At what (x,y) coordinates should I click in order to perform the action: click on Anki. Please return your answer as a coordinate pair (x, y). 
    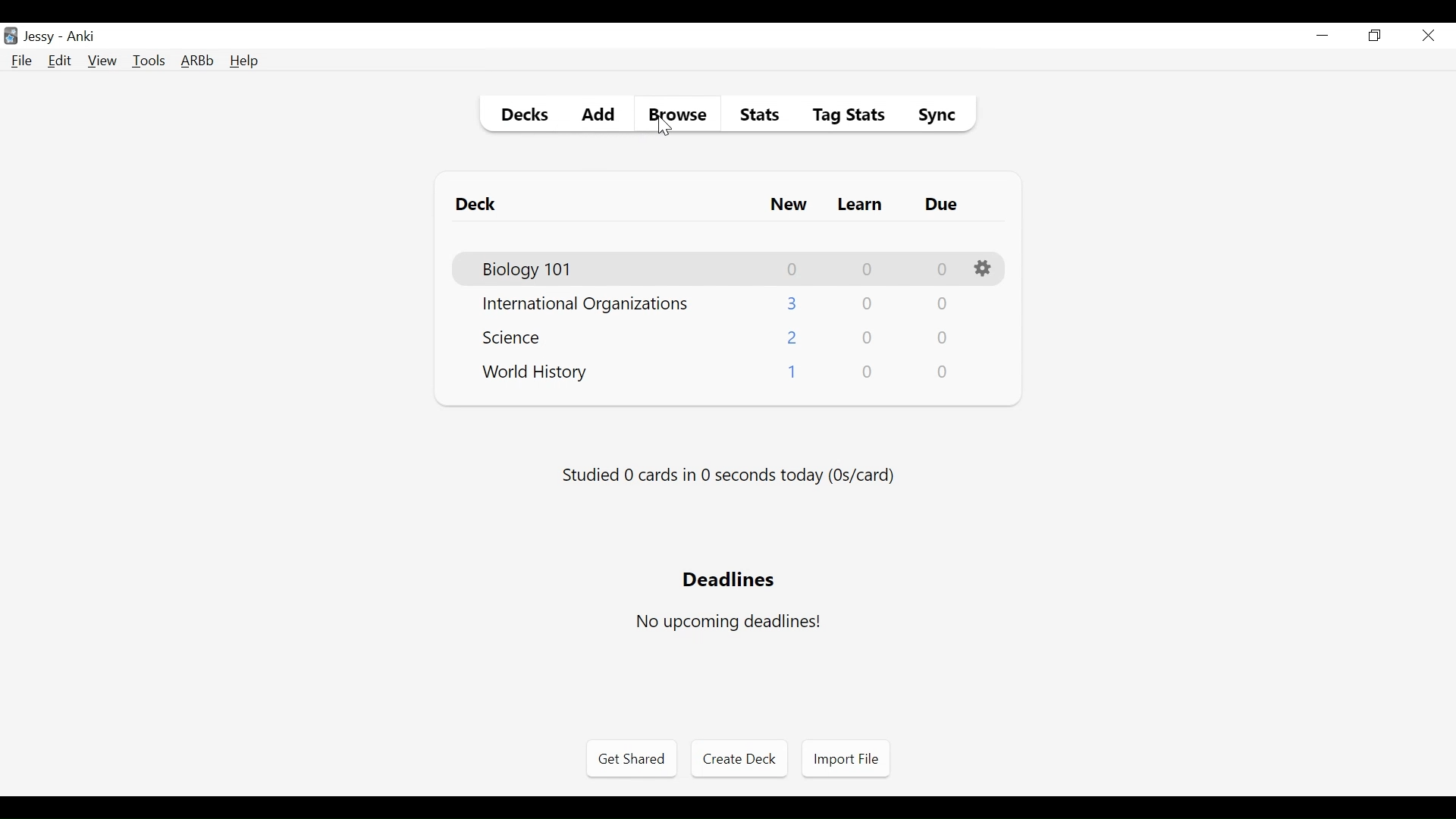
    Looking at the image, I should click on (81, 36).